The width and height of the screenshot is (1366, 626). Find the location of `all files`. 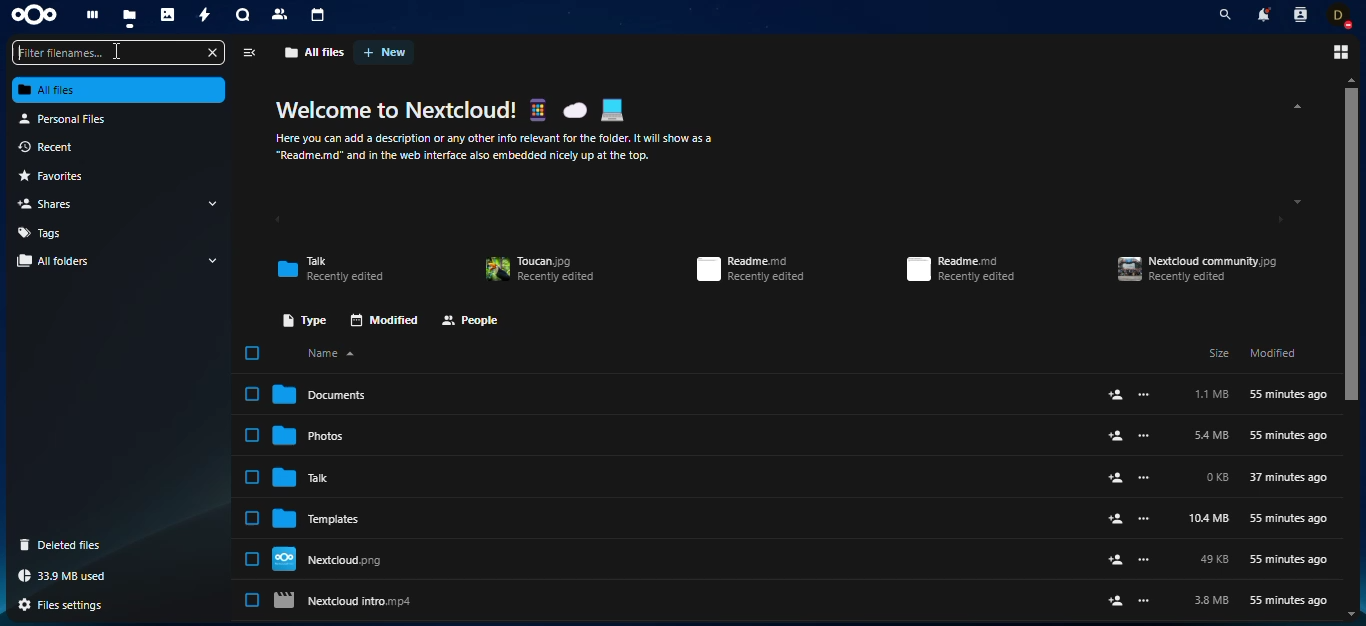

all files is located at coordinates (120, 90).